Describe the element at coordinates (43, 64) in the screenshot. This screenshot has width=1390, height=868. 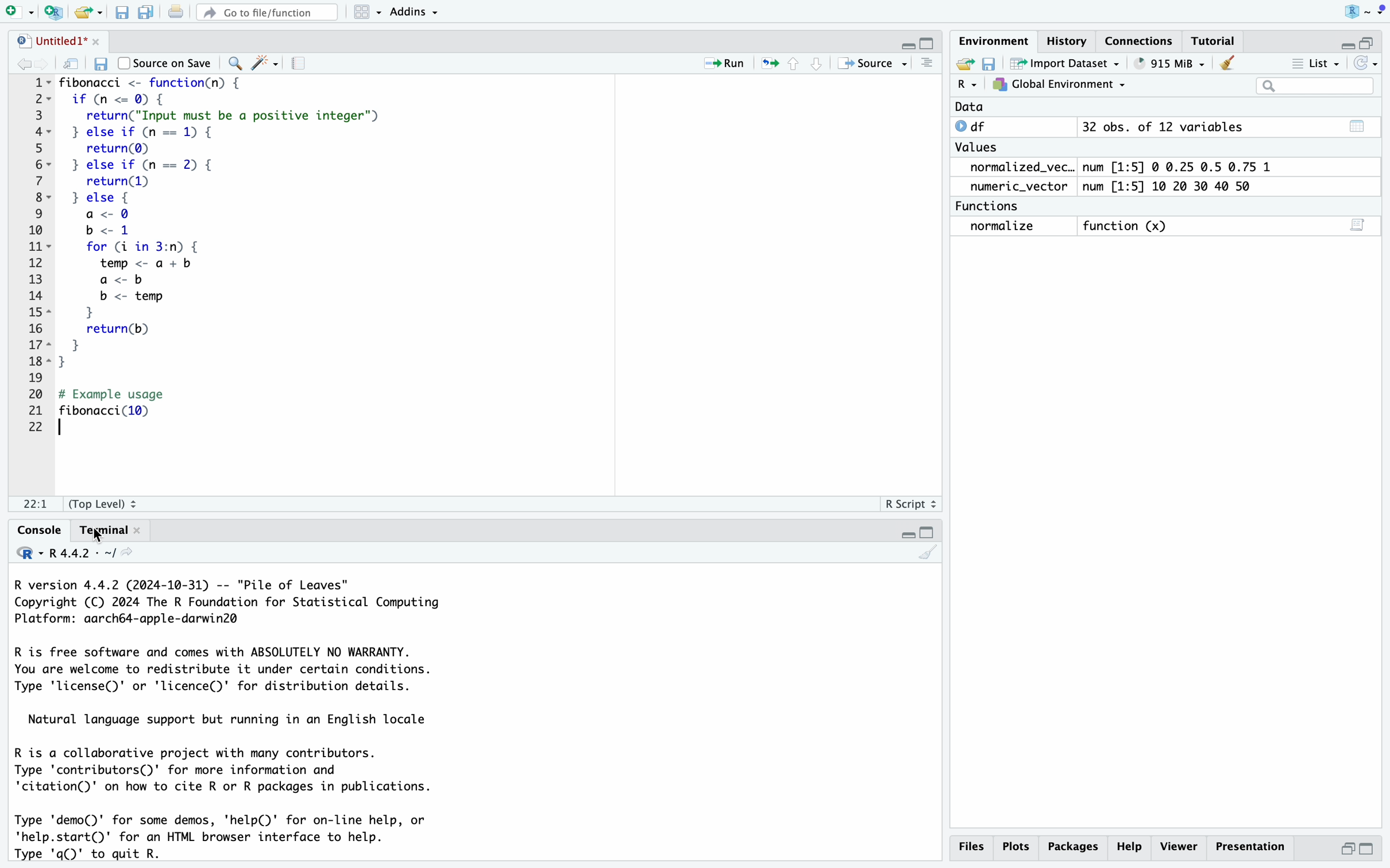
I see `go forward to the next source location` at that location.